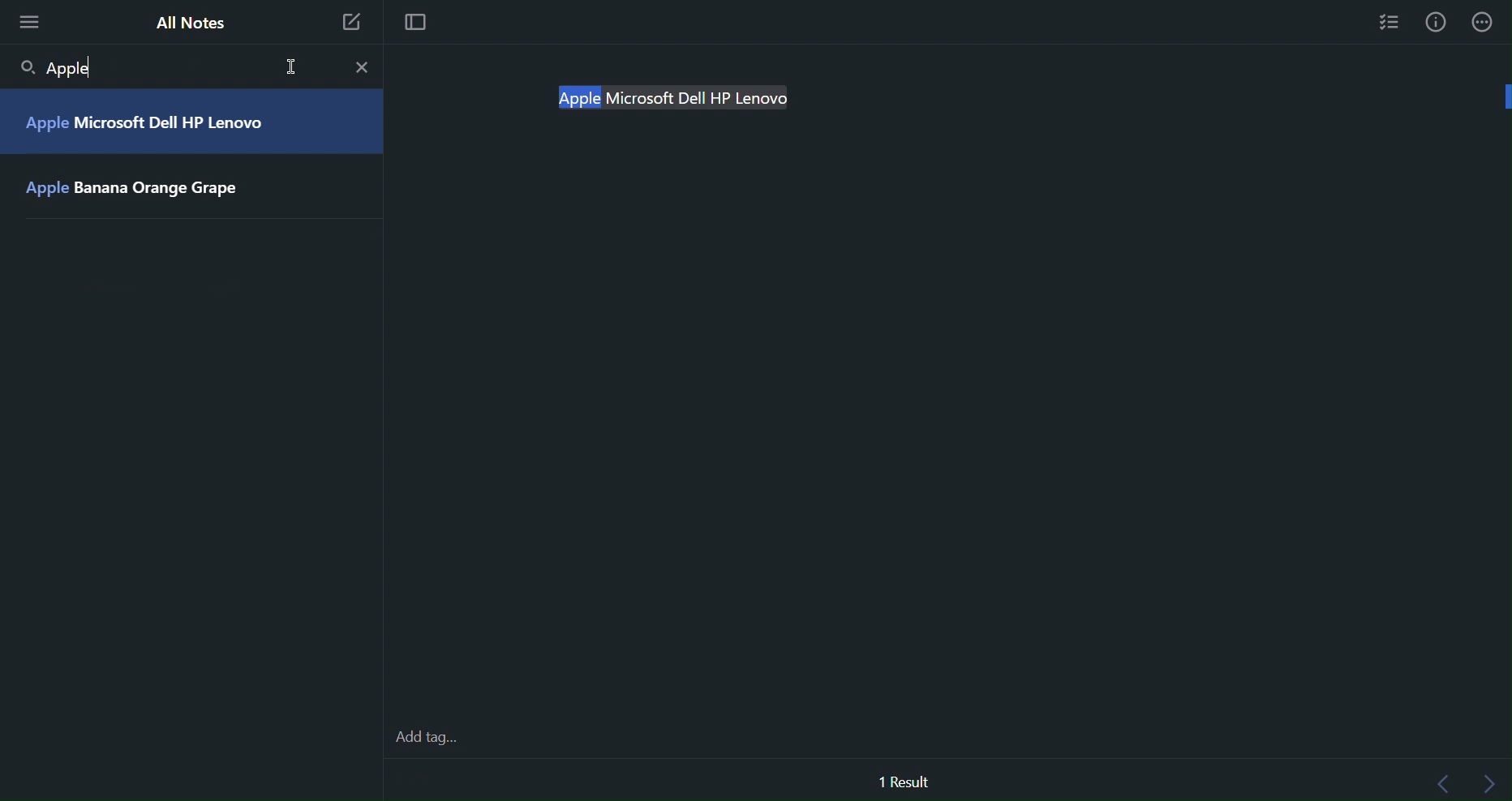  Describe the element at coordinates (163, 188) in the screenshot. I see `Banana Orange Grape` at that location.